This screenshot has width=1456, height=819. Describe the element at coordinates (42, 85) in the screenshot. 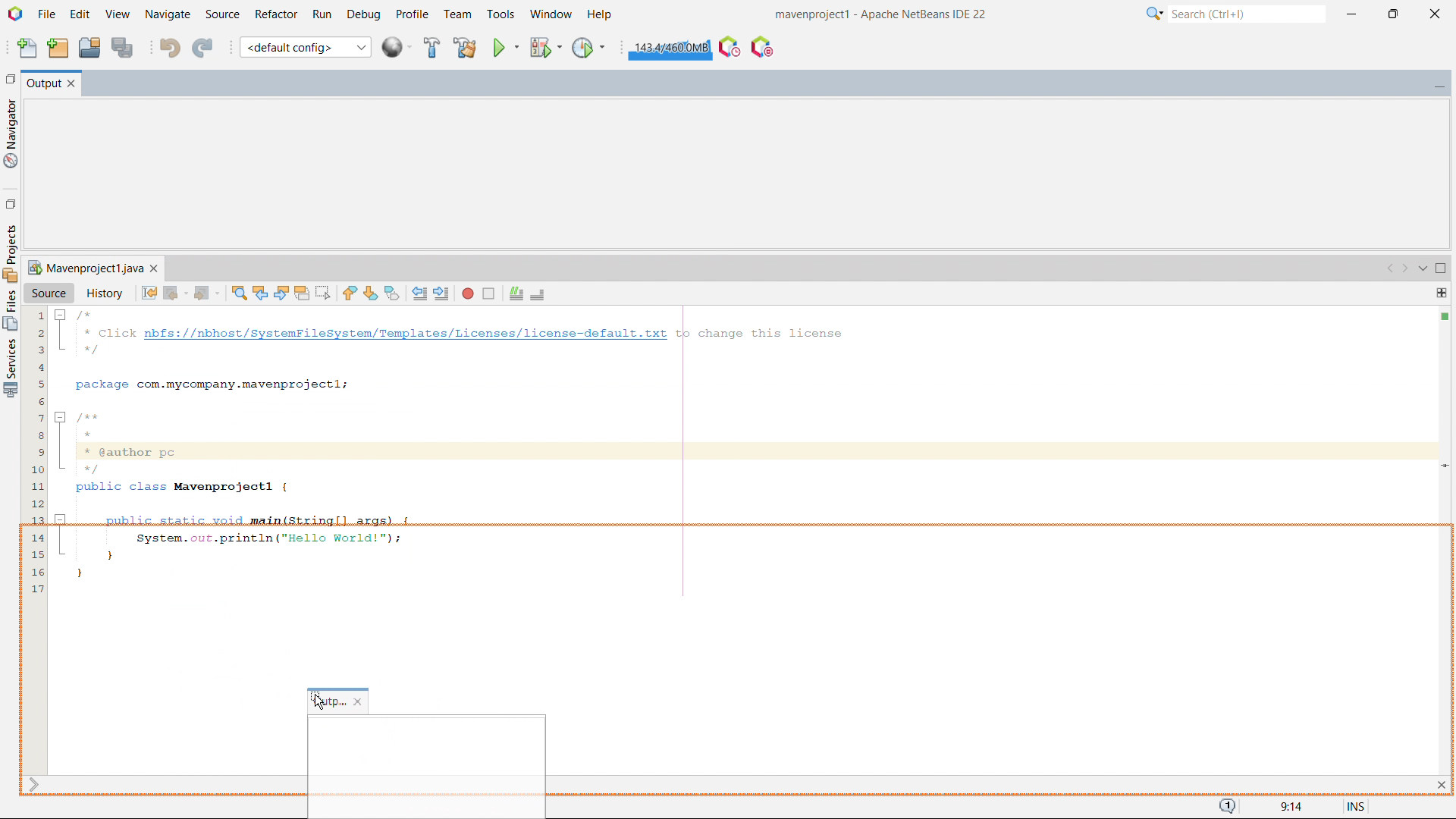

I see `output window` at that location.